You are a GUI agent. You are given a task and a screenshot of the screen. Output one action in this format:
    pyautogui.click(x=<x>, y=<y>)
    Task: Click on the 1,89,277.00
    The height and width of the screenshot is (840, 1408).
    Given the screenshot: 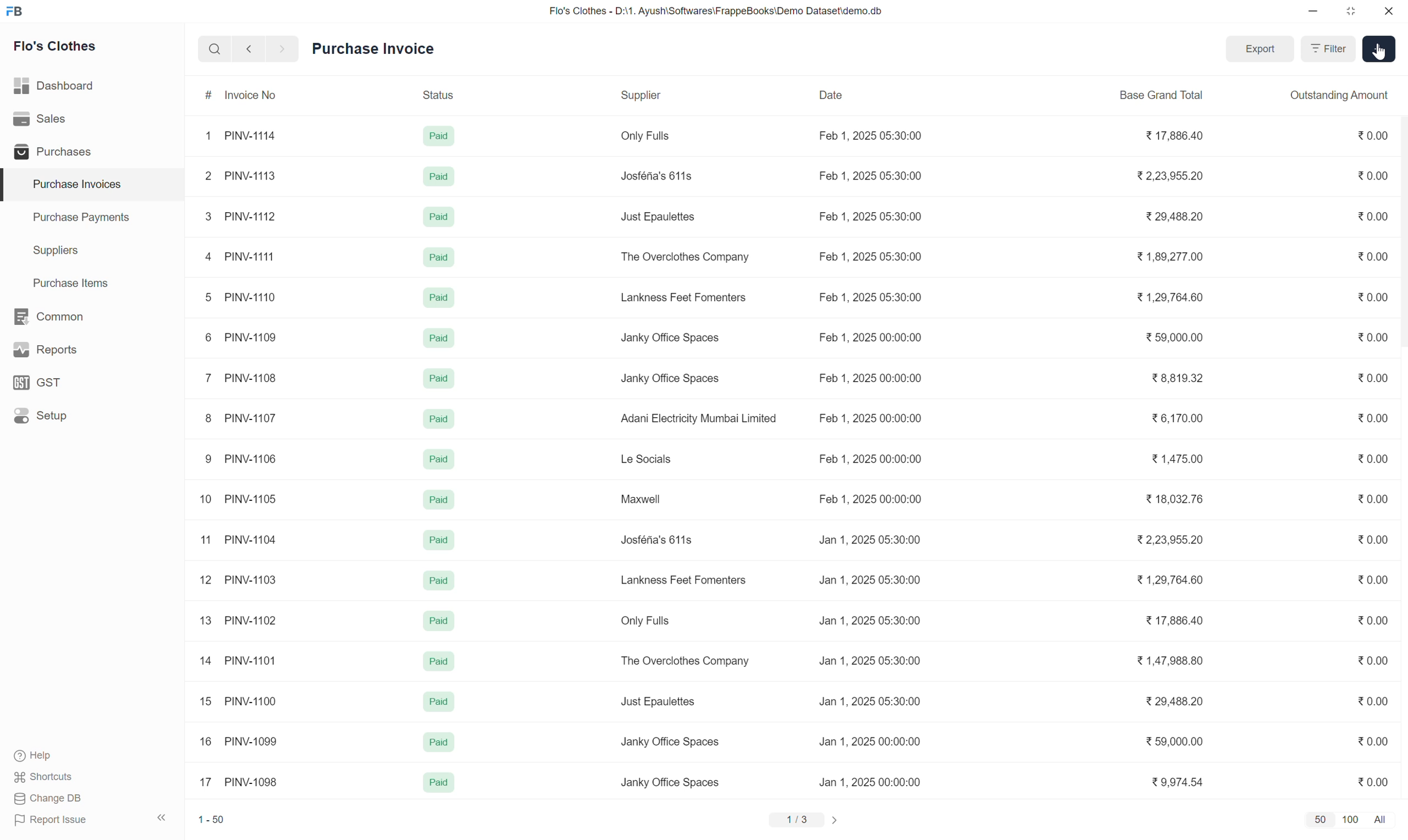 What is the action you would take?
    pyautogui.click(x=1169, y=257)
    